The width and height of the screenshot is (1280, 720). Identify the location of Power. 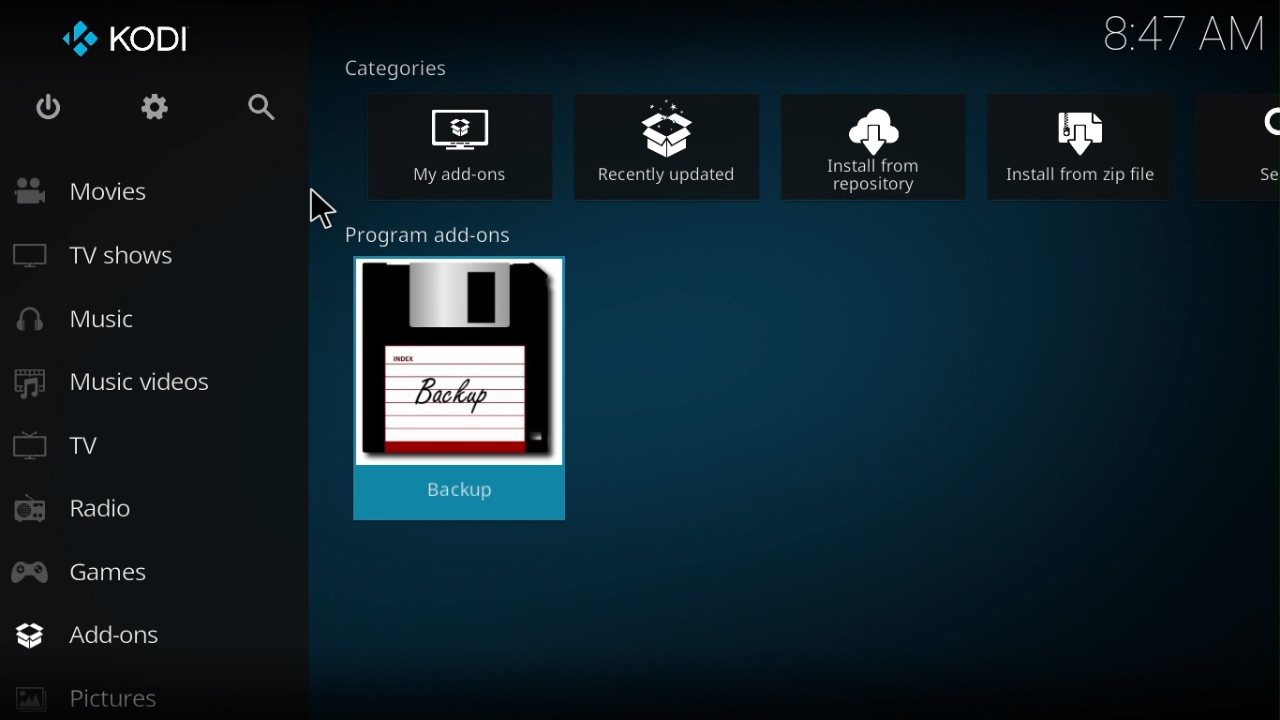
(48, 111).